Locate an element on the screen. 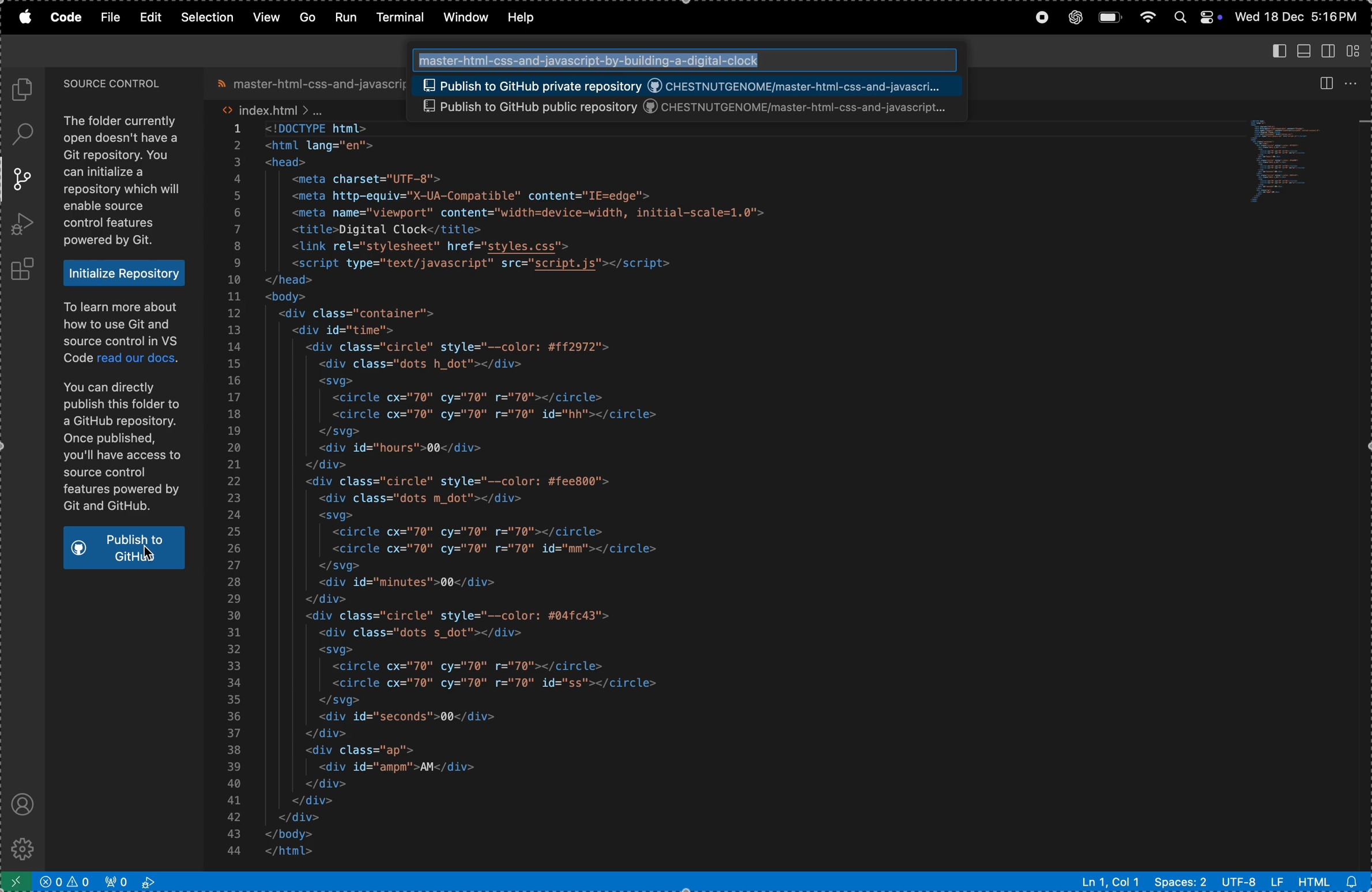 The height and width of the screenshot is (892, 1372). apple menu is located at coordinates (27, 18).